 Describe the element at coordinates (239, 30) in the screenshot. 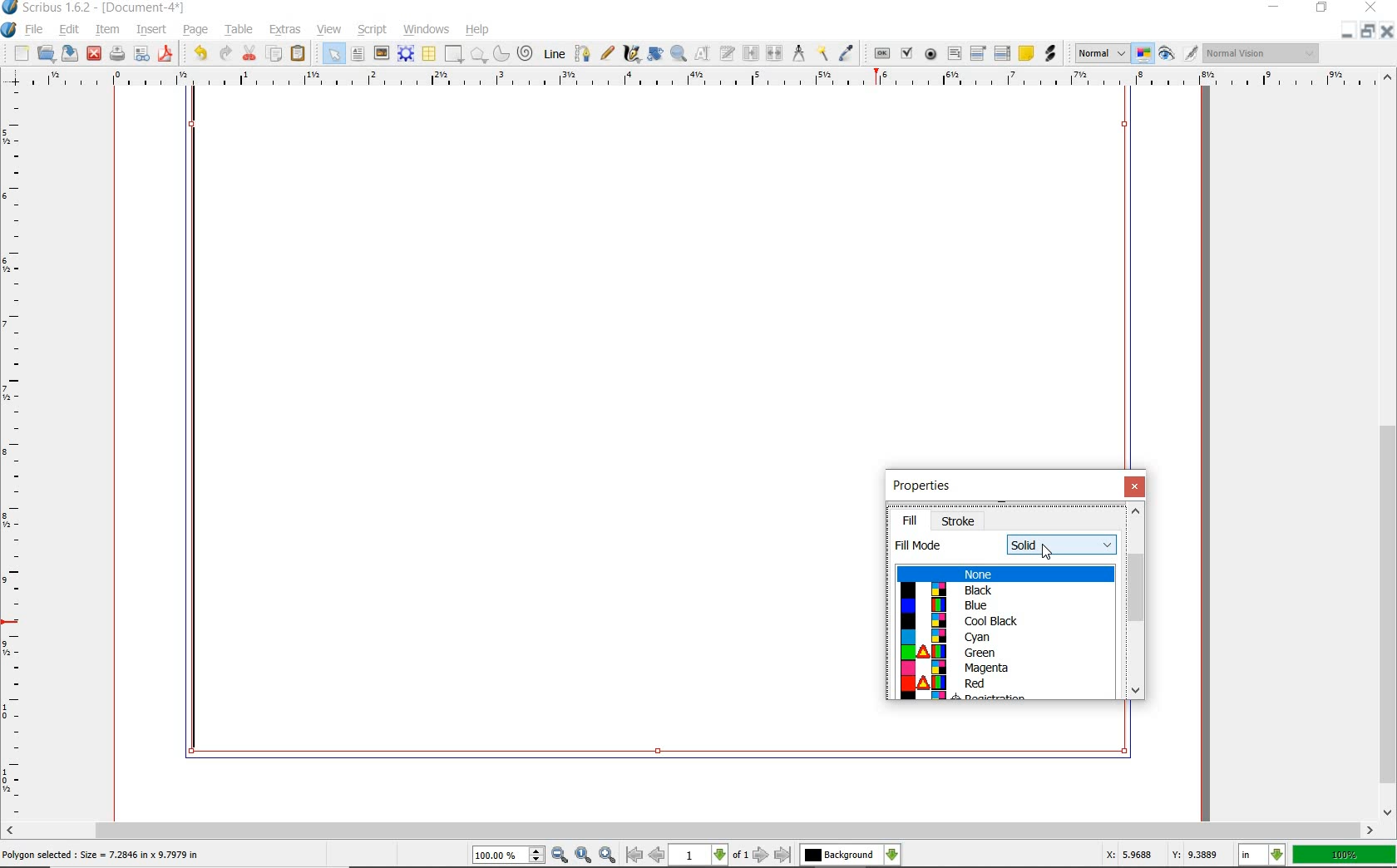

I see `table` at that location.